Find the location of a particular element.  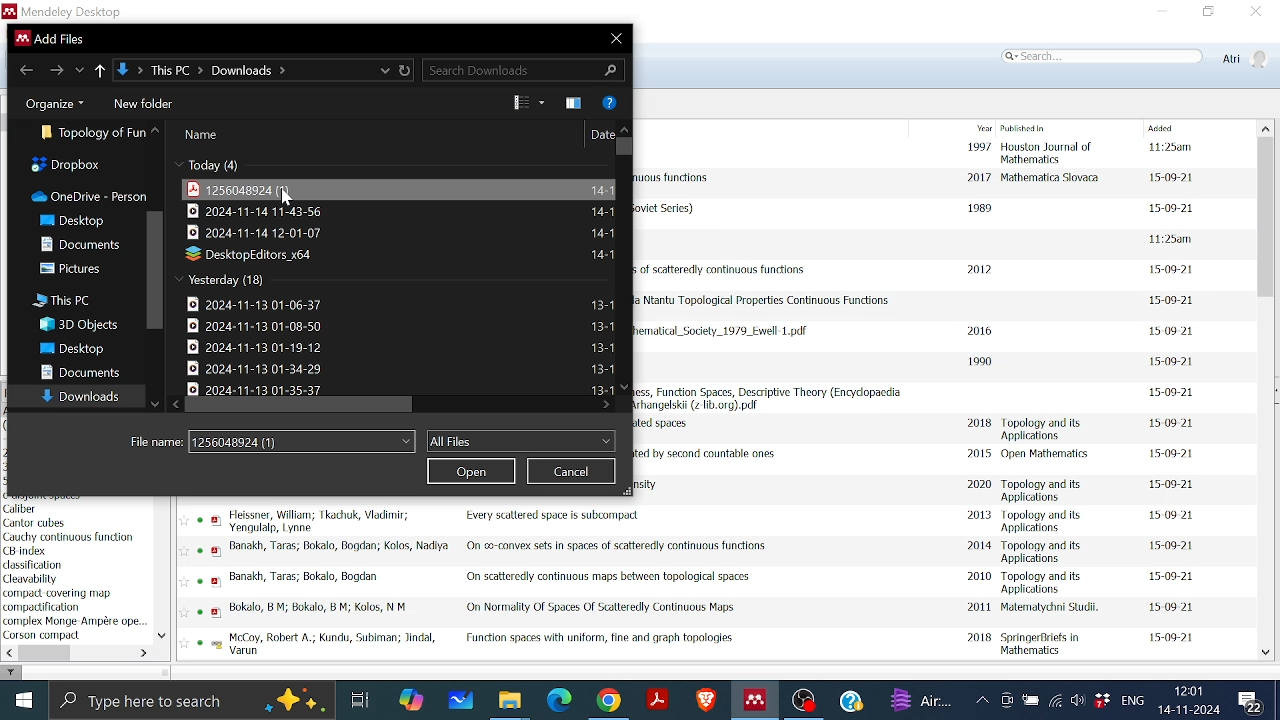

author is located at coordinates (35, 523).